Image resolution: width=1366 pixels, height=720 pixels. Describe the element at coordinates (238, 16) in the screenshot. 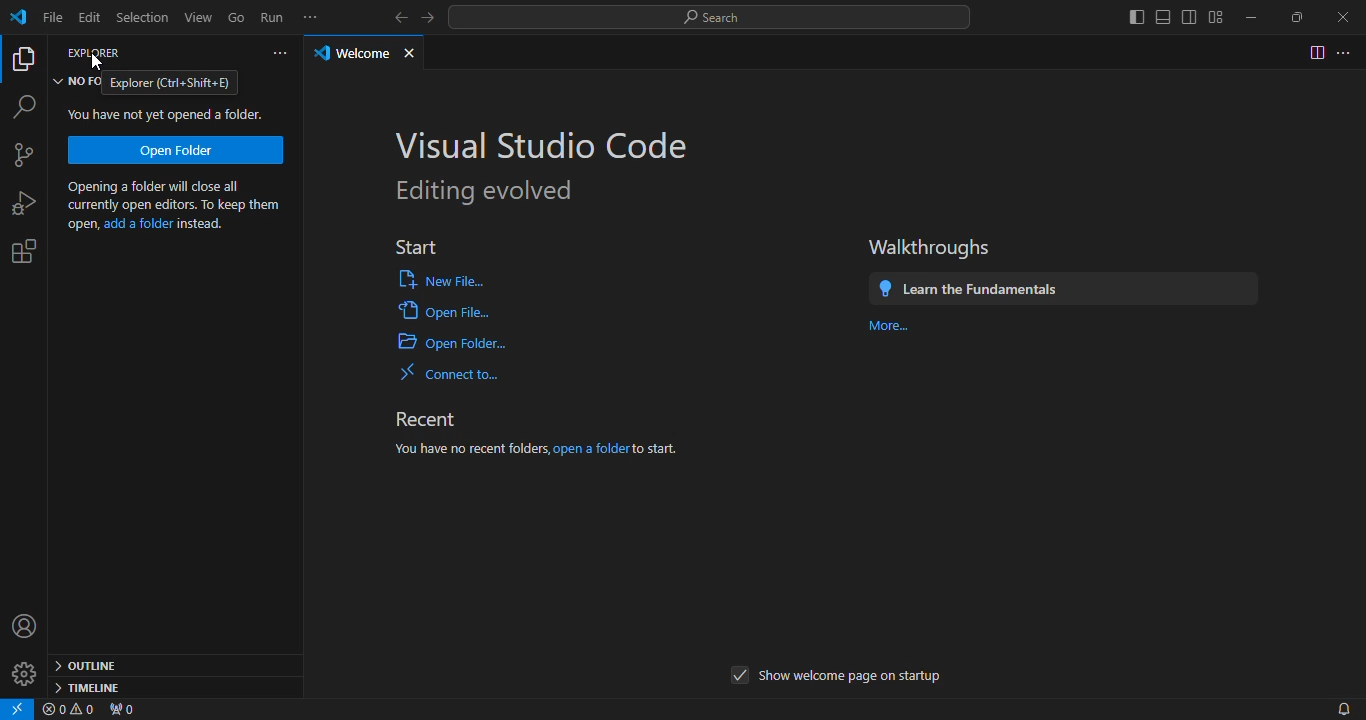

I see `Go` at that location.